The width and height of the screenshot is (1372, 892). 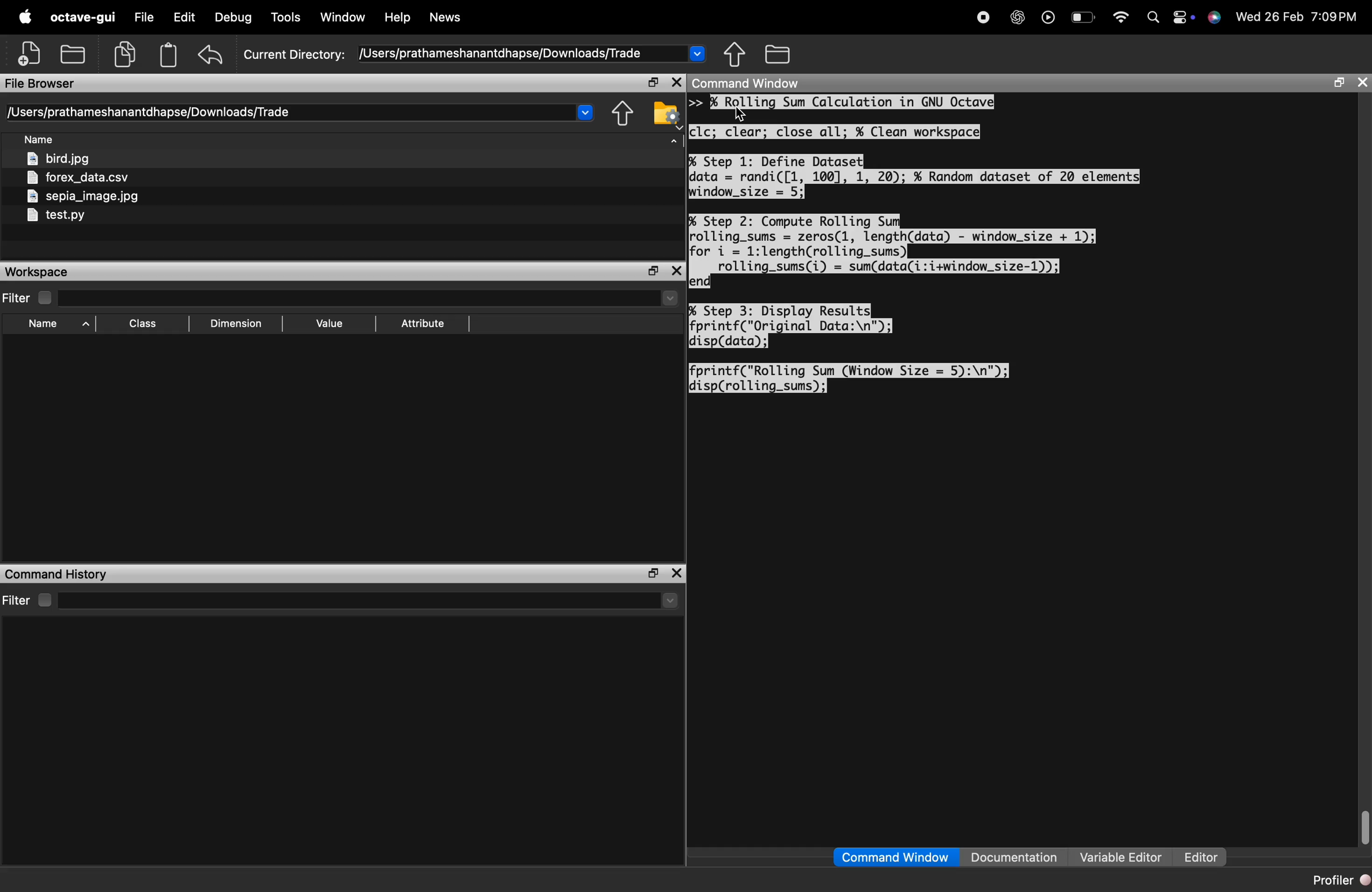 What do you see at coordinates (1363, 826) in the screenshot?
I see `vertical scrollbar` at bounding box center [1363, 826].